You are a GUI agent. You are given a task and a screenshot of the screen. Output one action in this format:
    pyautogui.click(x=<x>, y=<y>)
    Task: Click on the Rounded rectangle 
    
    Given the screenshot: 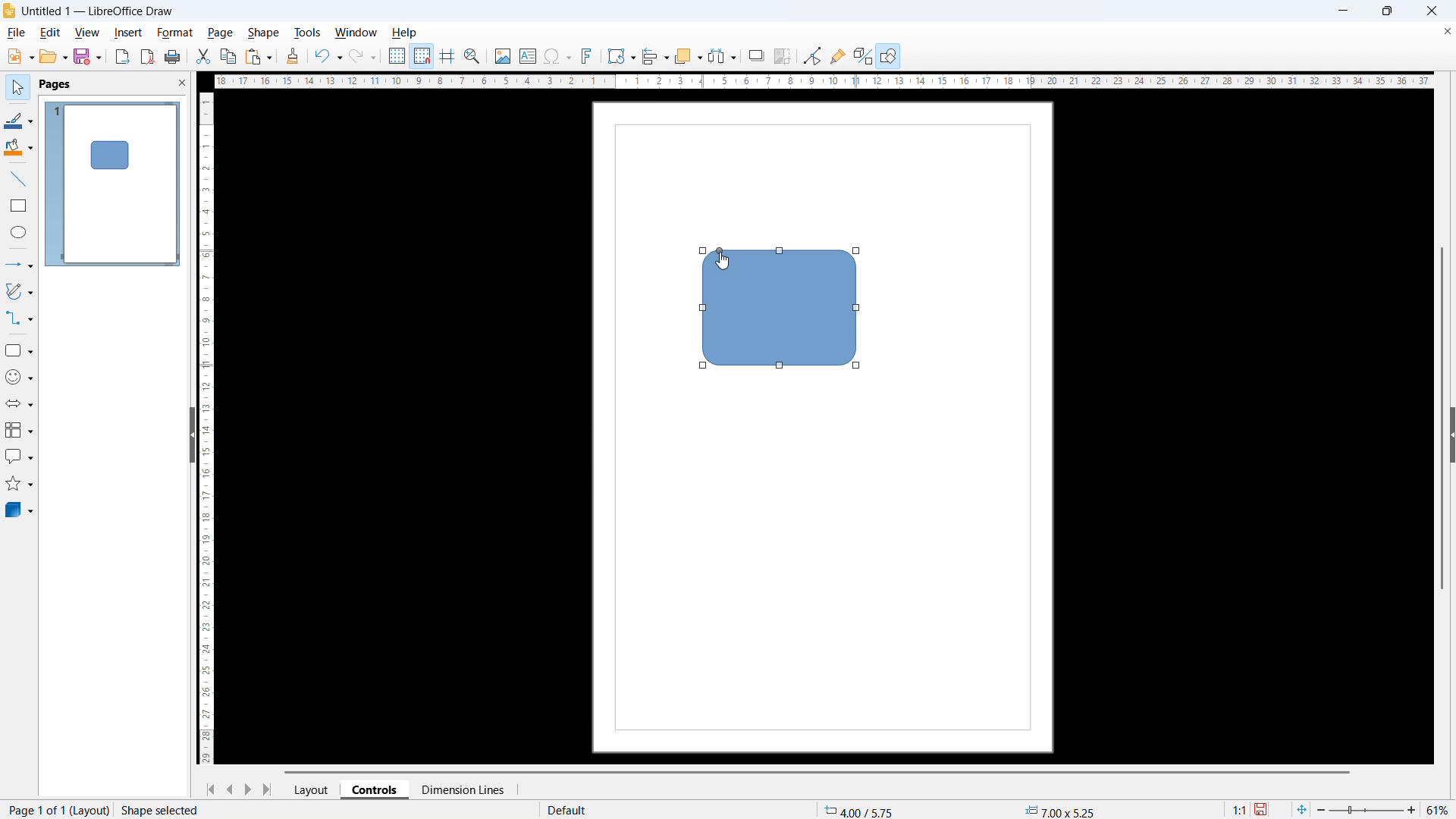 What is the action you would take?
    pyautogui.click(x=779, y=315)
    